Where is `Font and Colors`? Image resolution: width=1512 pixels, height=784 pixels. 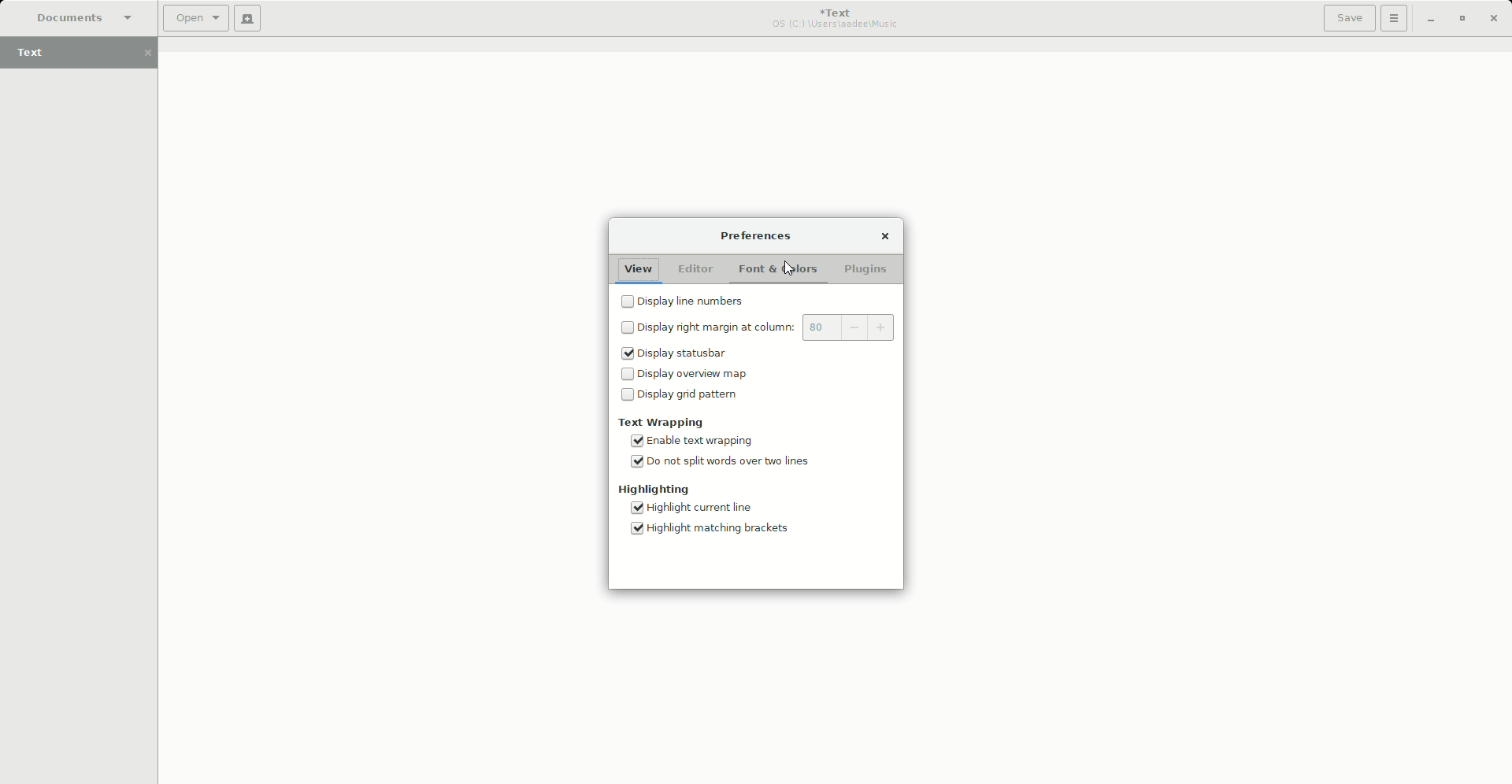 Font and Colors is located at coordinates (784, 265).